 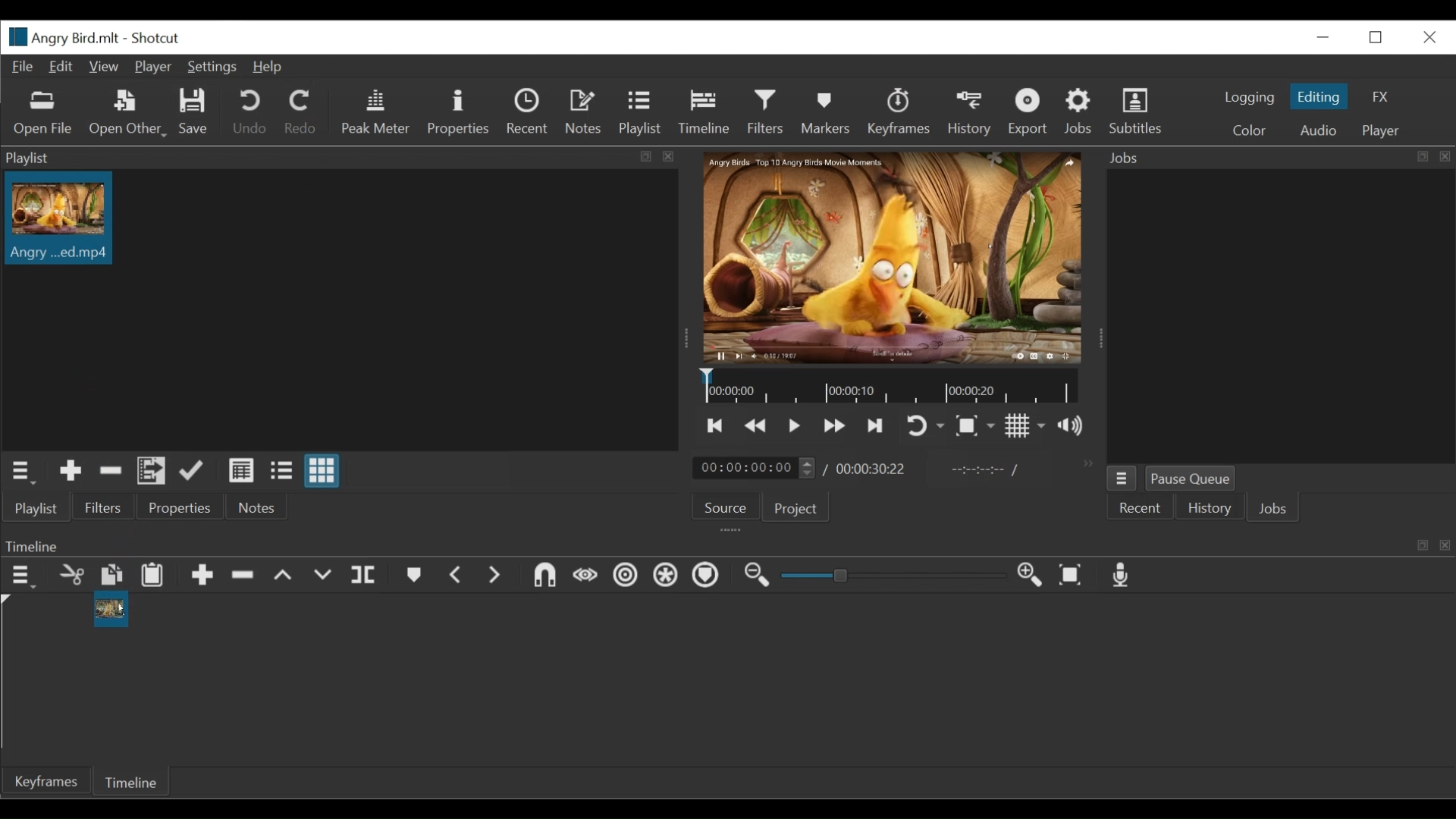 I want to click on File Name, so click(x=60, y=36).